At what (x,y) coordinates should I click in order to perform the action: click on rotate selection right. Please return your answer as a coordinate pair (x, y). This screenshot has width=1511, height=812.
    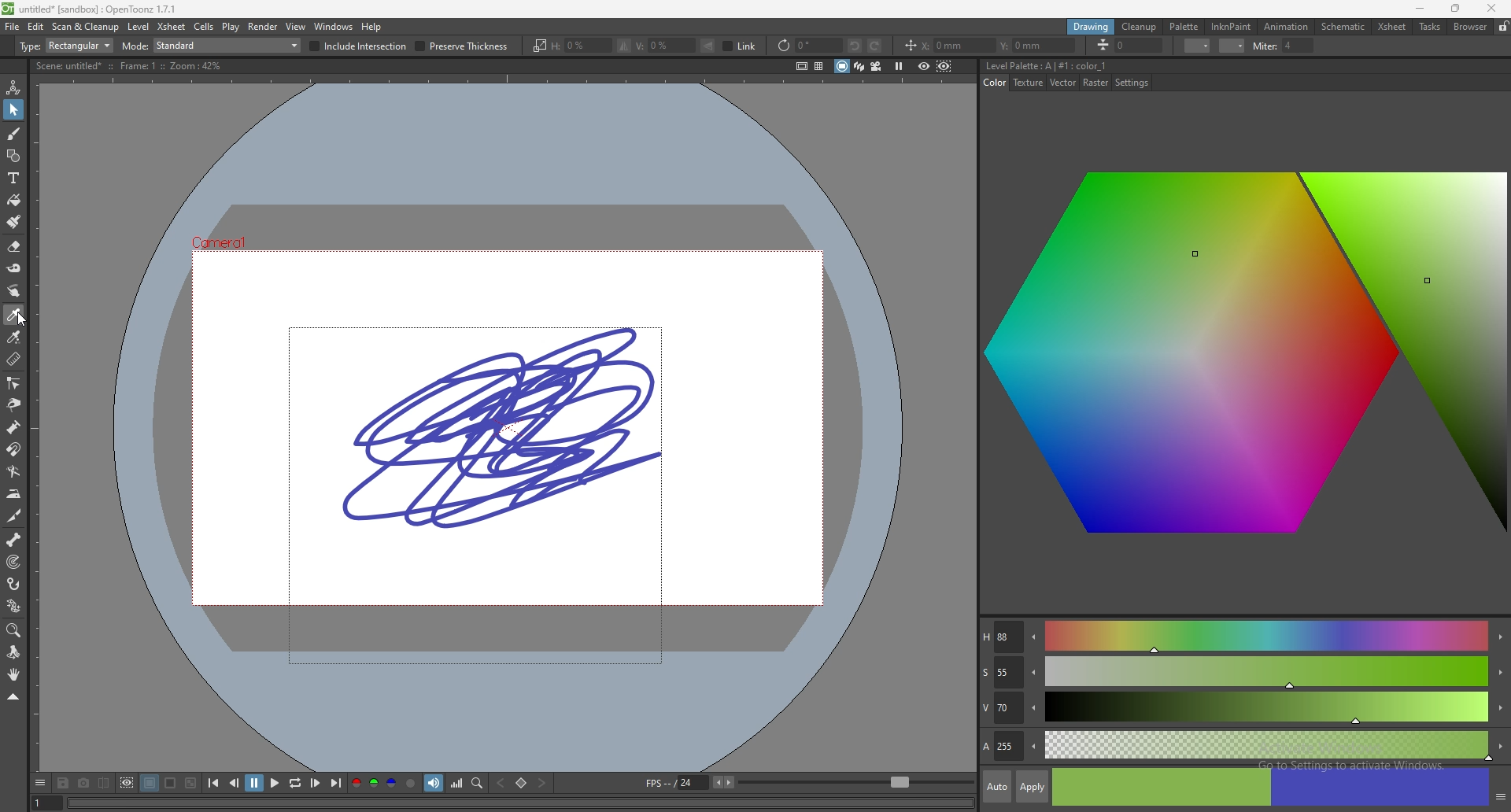
    Looking at the image, I should click on (875, 46).